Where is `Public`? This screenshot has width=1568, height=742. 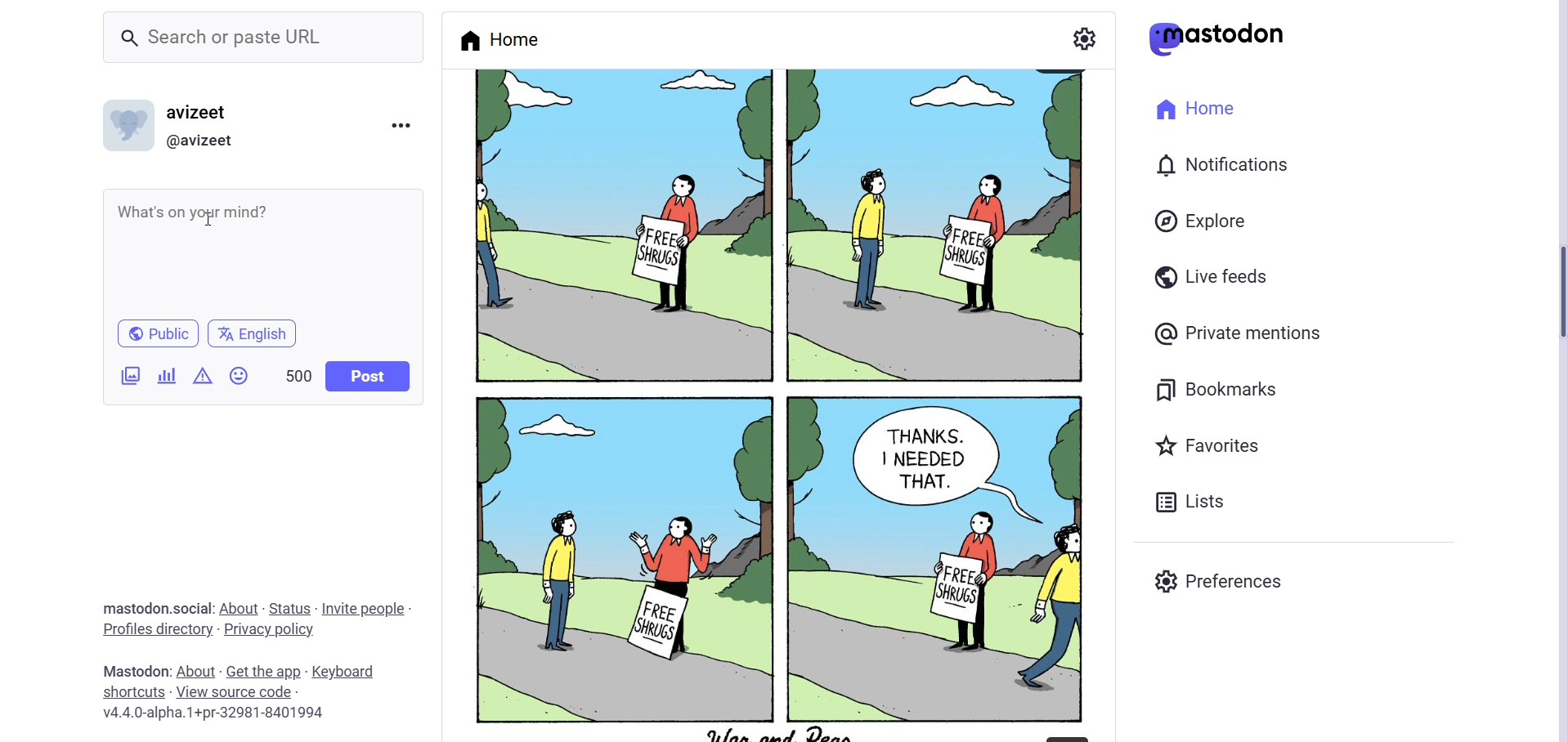
Public is located at coordinates (159, 332).